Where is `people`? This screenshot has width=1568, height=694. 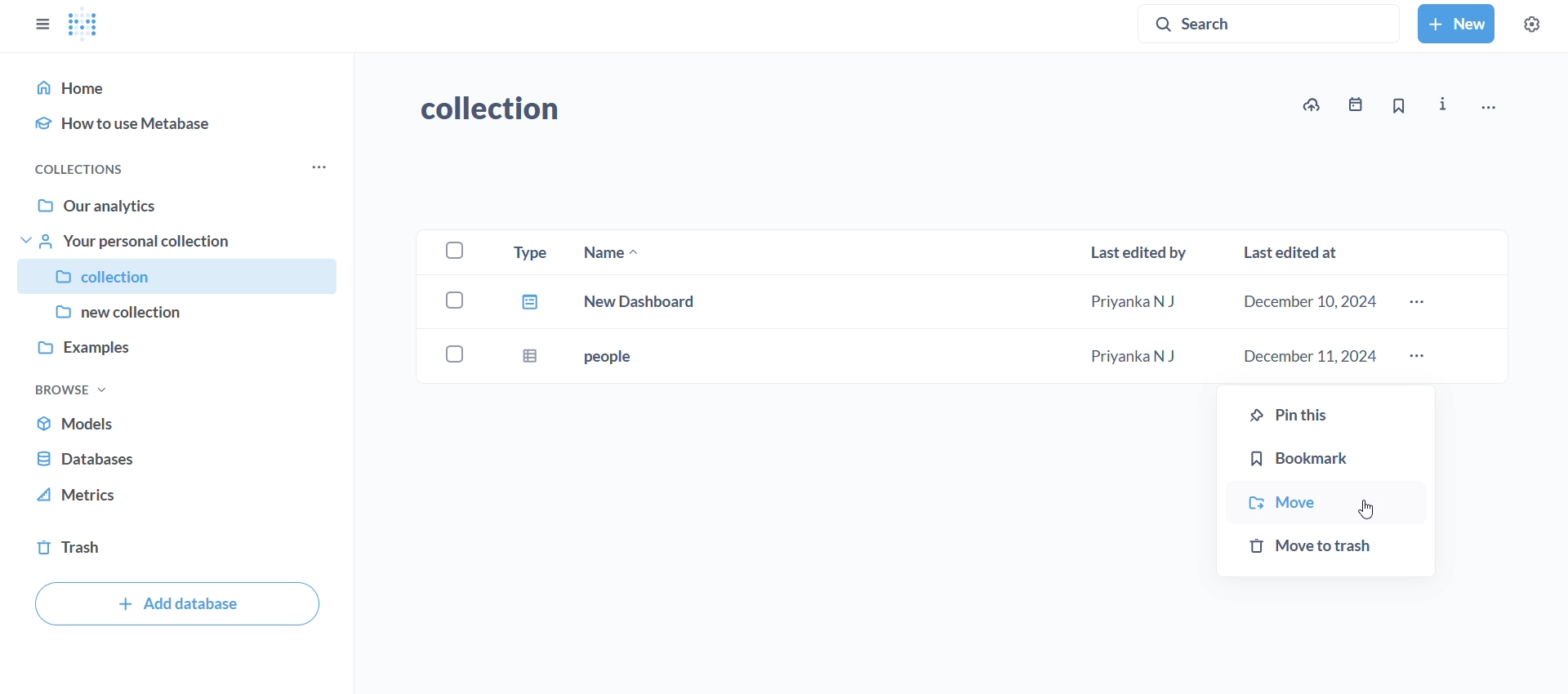 people is located at coordinates (605, 355).